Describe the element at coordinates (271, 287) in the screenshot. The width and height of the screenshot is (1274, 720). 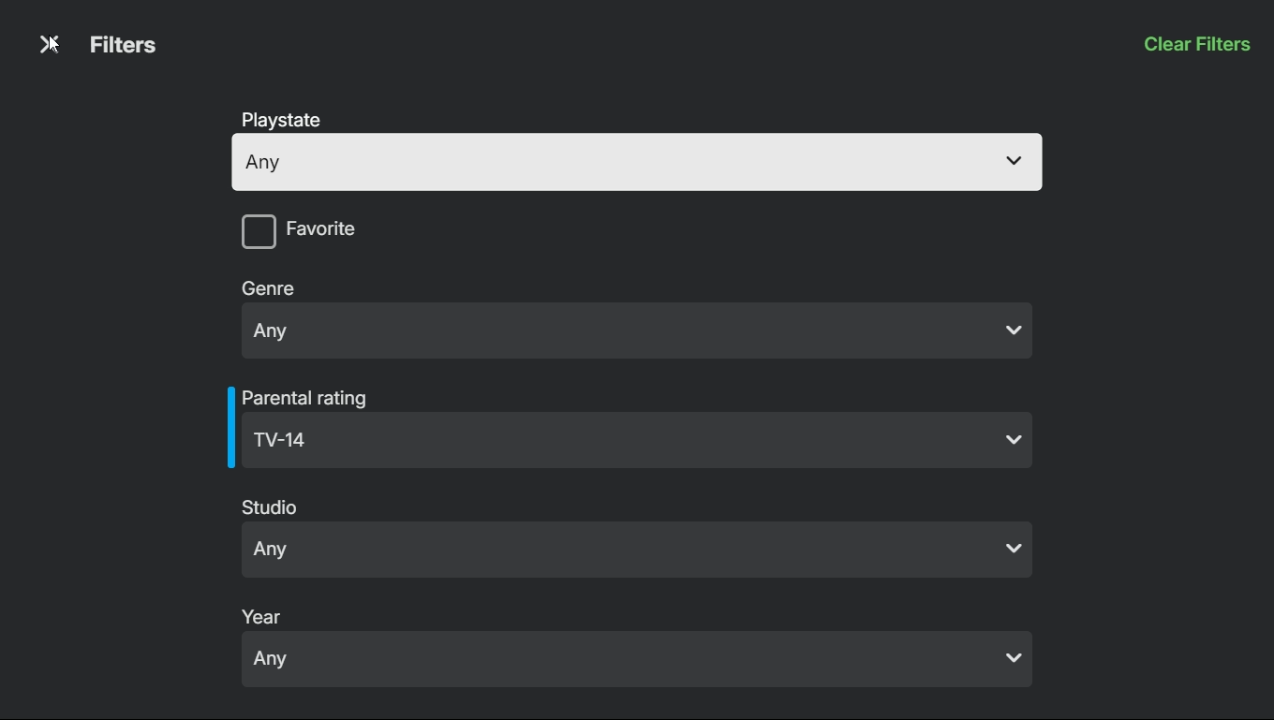
I see `genre` at that location.